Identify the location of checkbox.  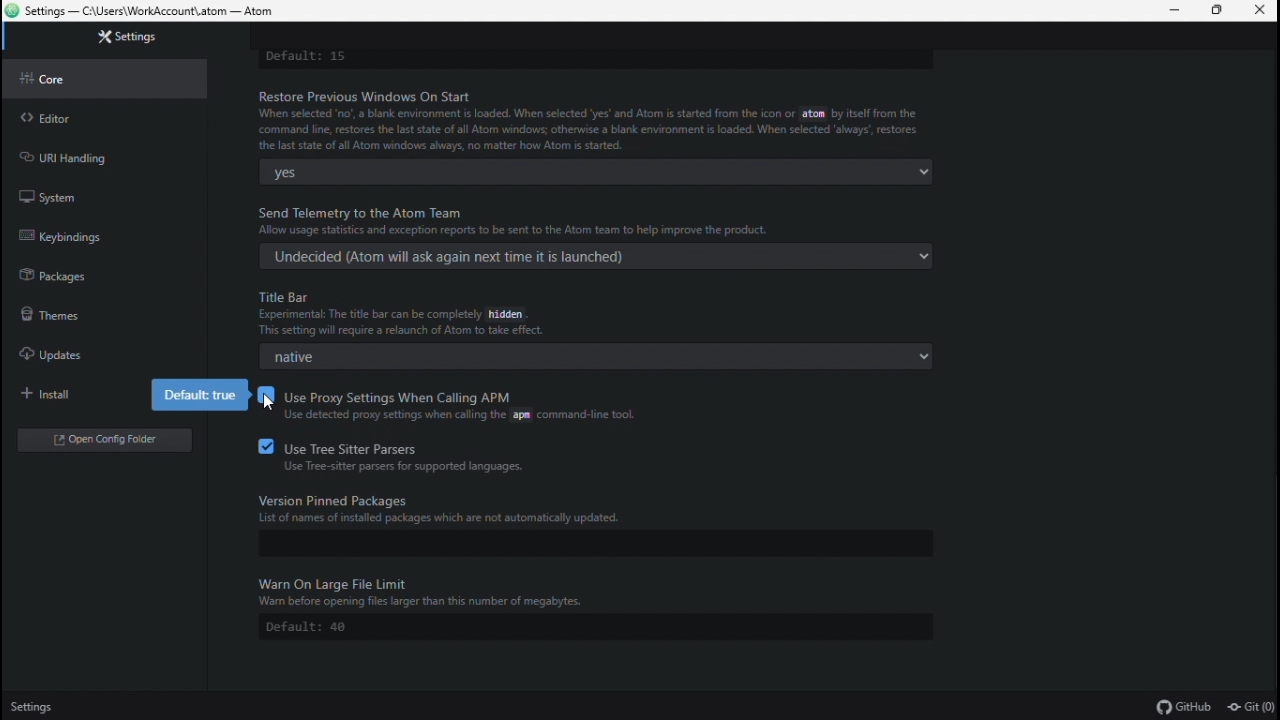
(262, 446).